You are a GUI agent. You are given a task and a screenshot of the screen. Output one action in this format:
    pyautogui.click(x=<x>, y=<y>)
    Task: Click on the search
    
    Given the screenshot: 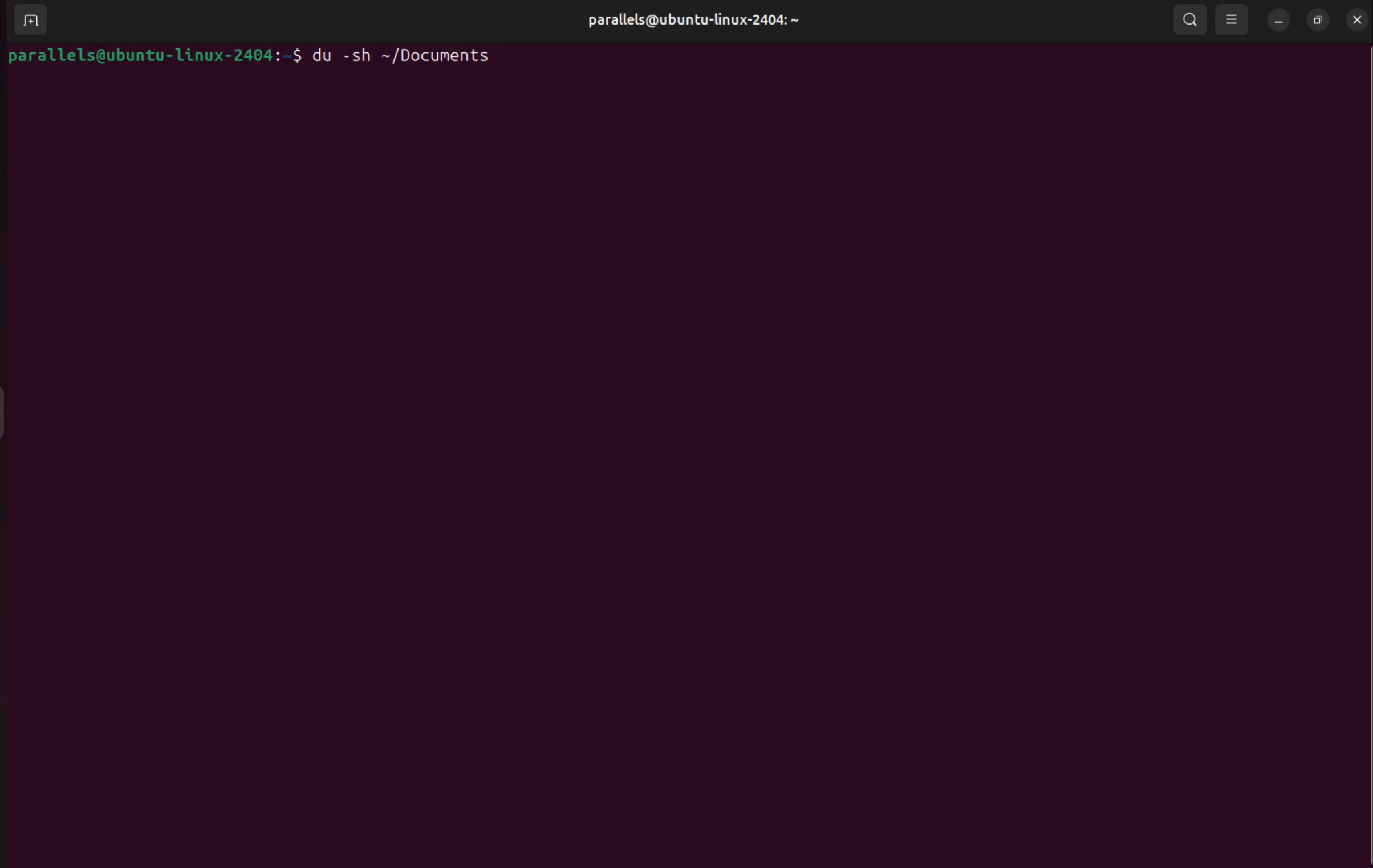 What is the action you would take?
    pyautogui.click(x=1191, y=21)
    